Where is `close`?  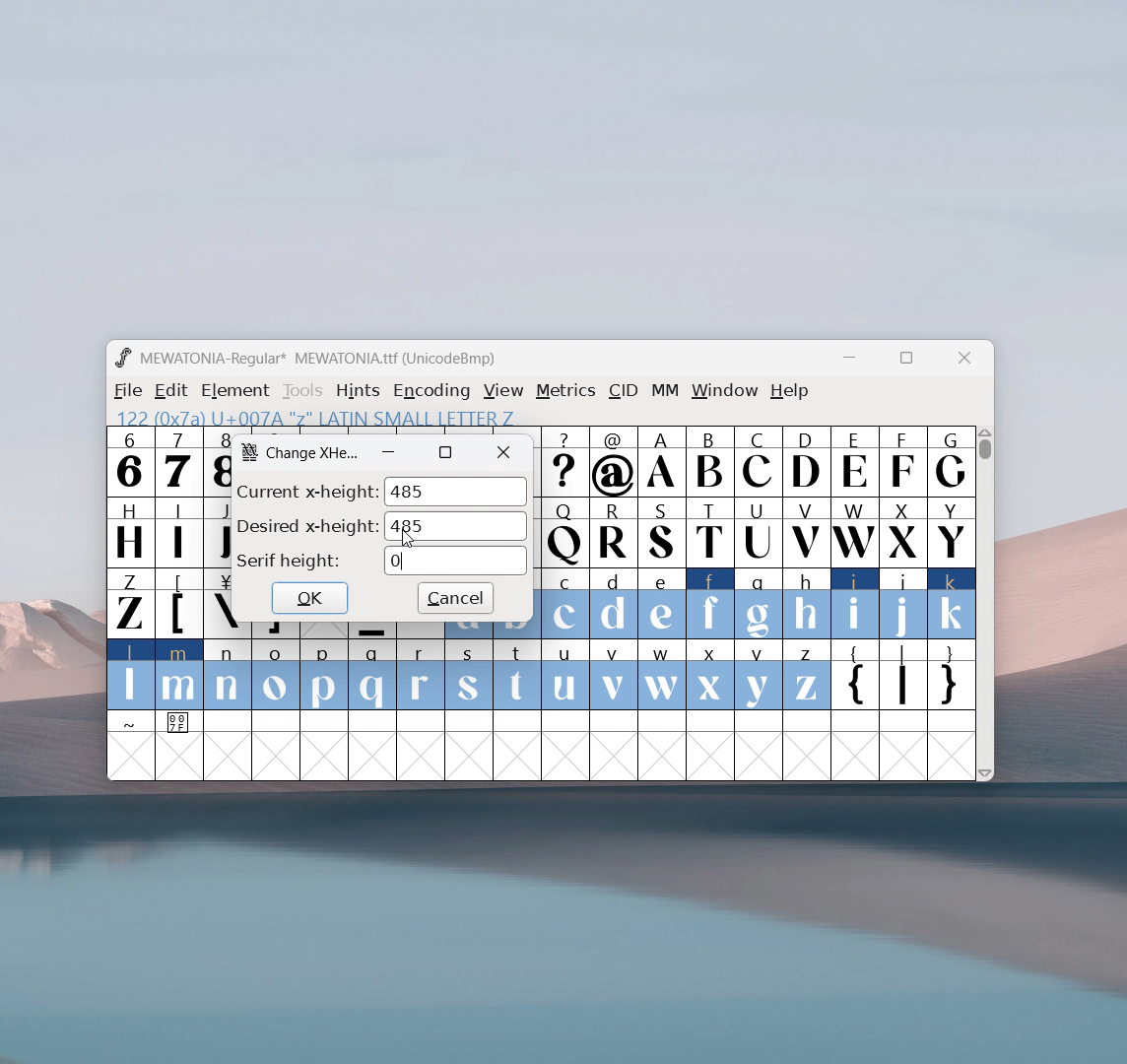
close is located at coordinates (504, 453).